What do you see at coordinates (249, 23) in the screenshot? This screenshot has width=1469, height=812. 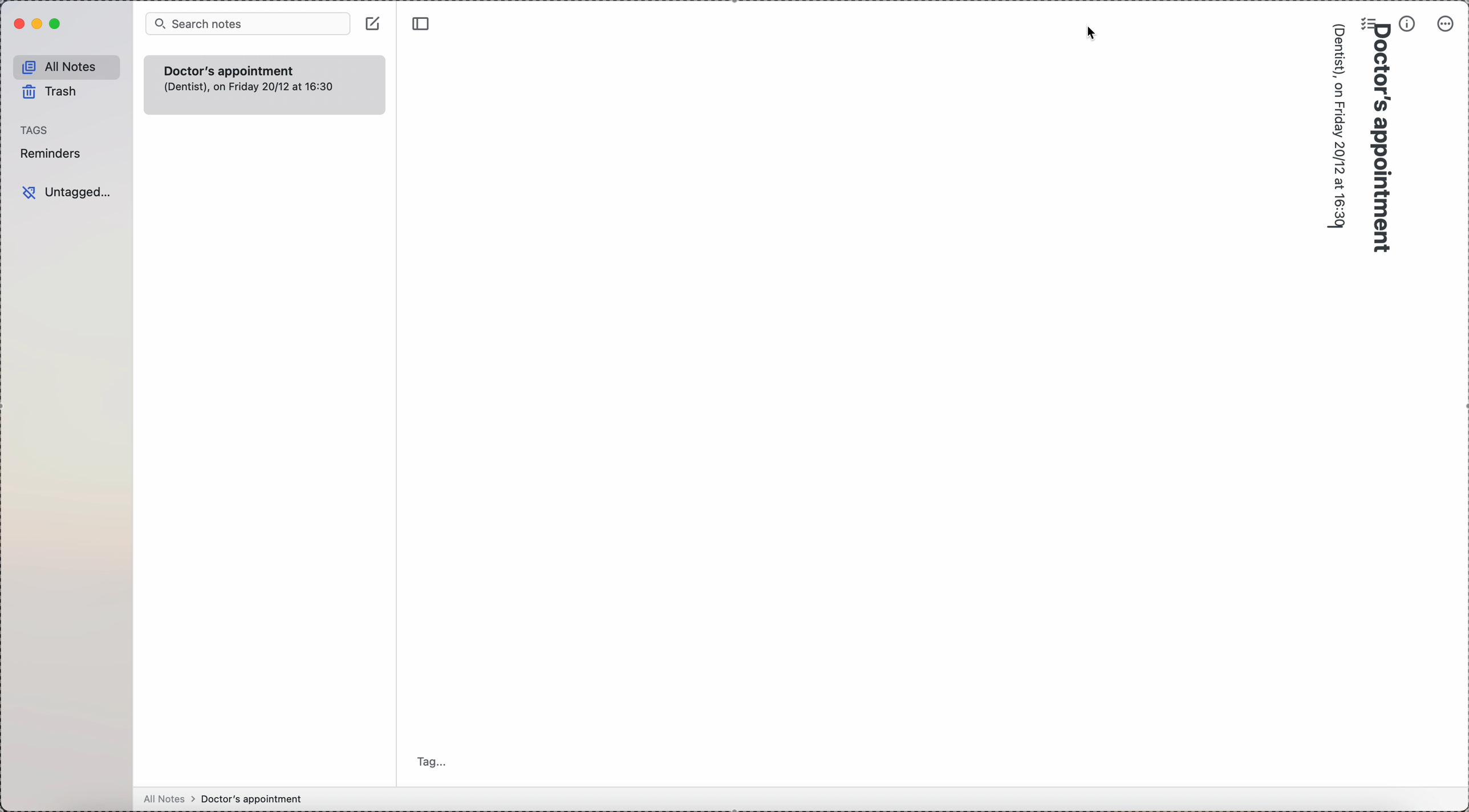 I see `search notes` at bounding box center [249, 23].